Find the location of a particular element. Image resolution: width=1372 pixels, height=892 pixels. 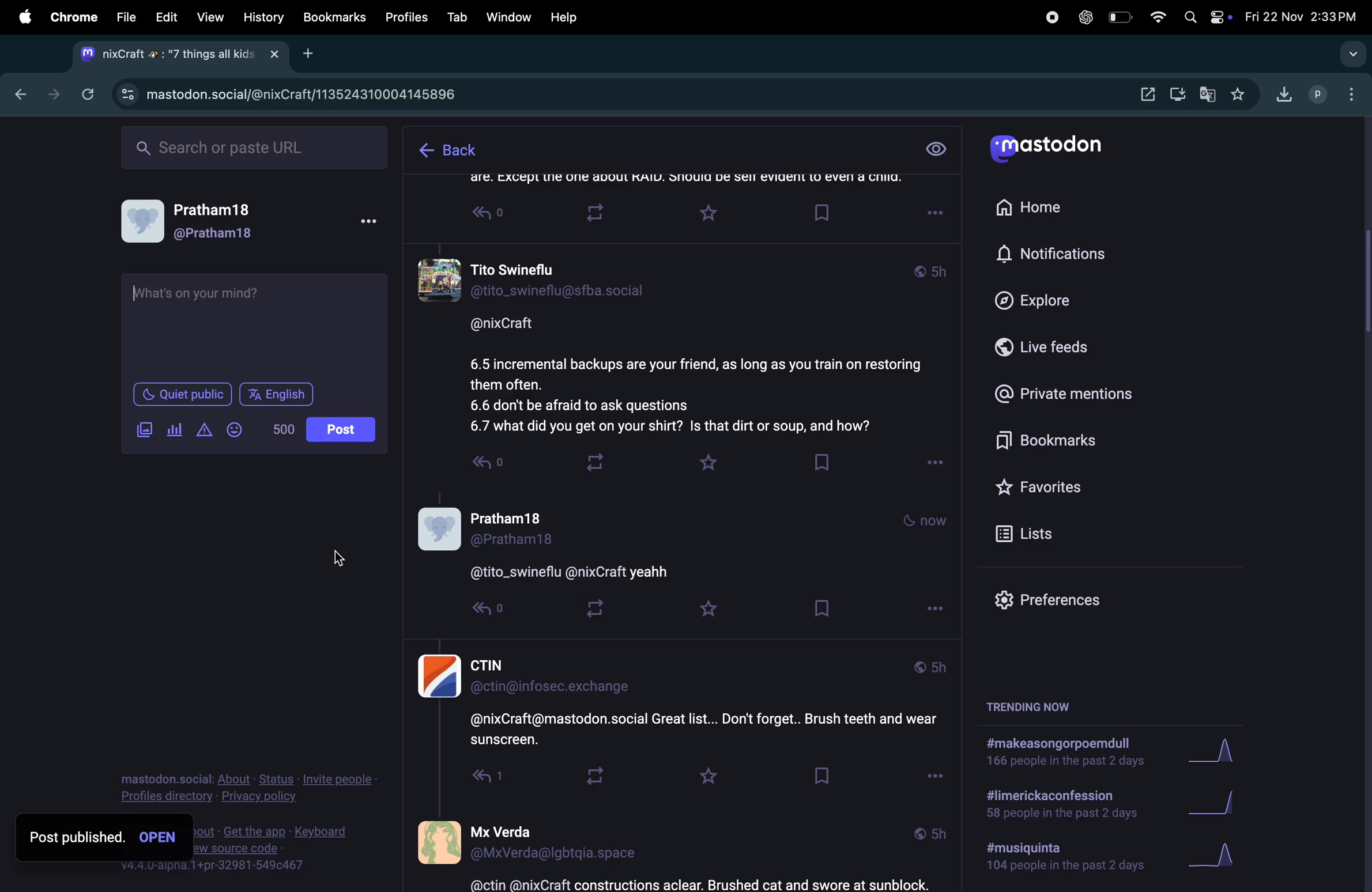

forward is located at coordinates (52, 93).